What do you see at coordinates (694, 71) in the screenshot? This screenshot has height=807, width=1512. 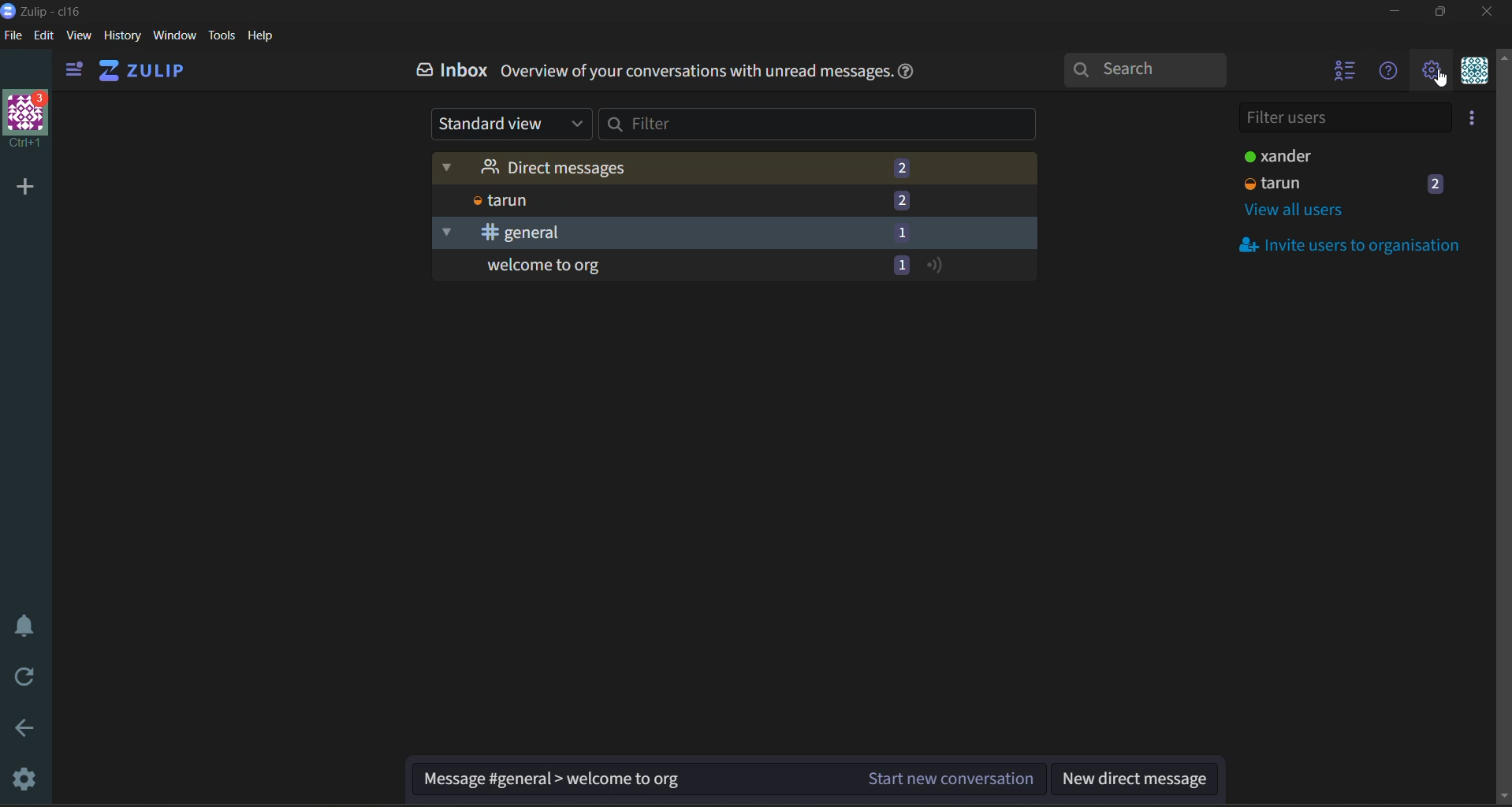 I see `heading` at bounding box center [694, 71].